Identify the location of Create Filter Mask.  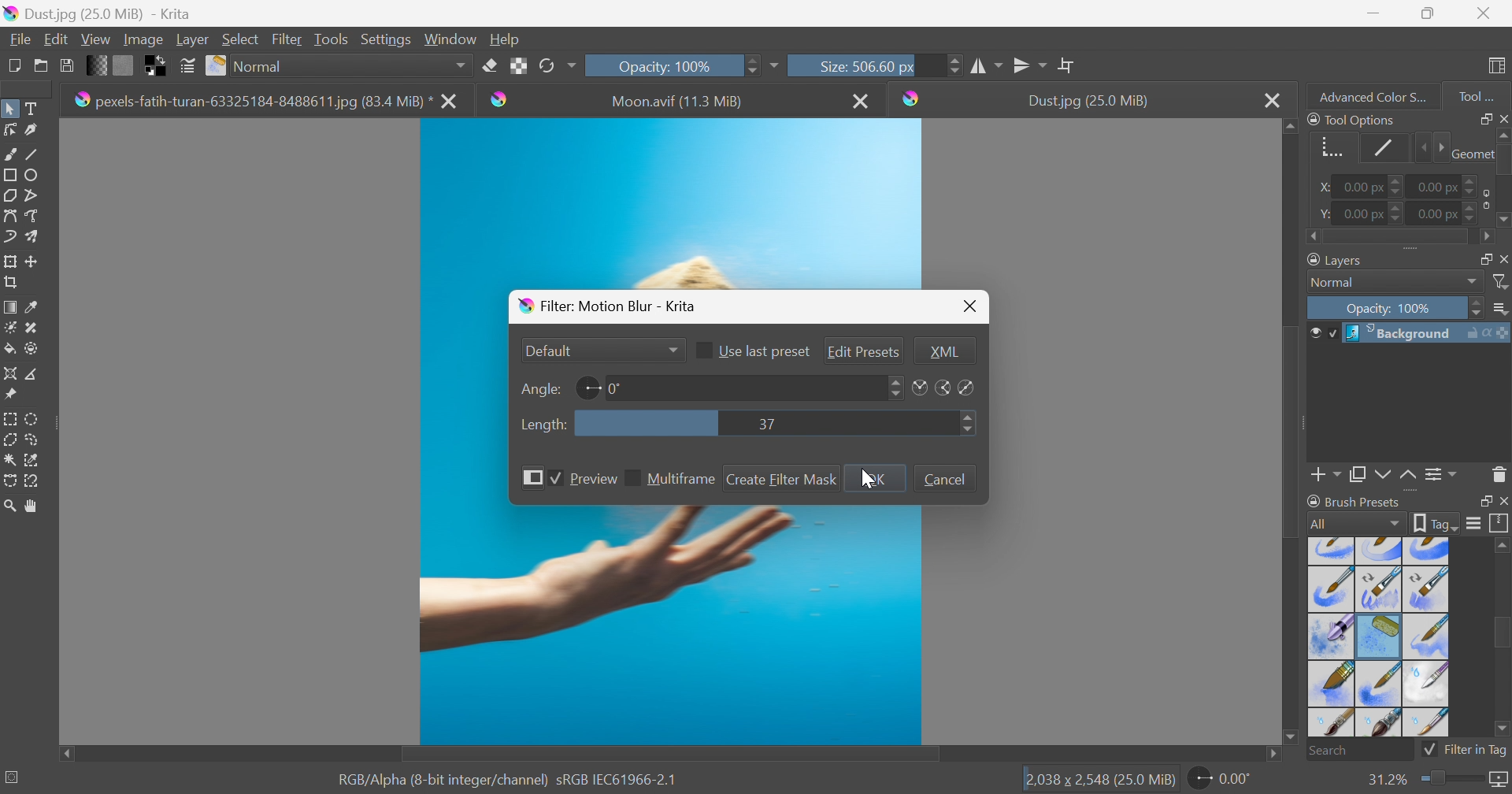
(783, 479).